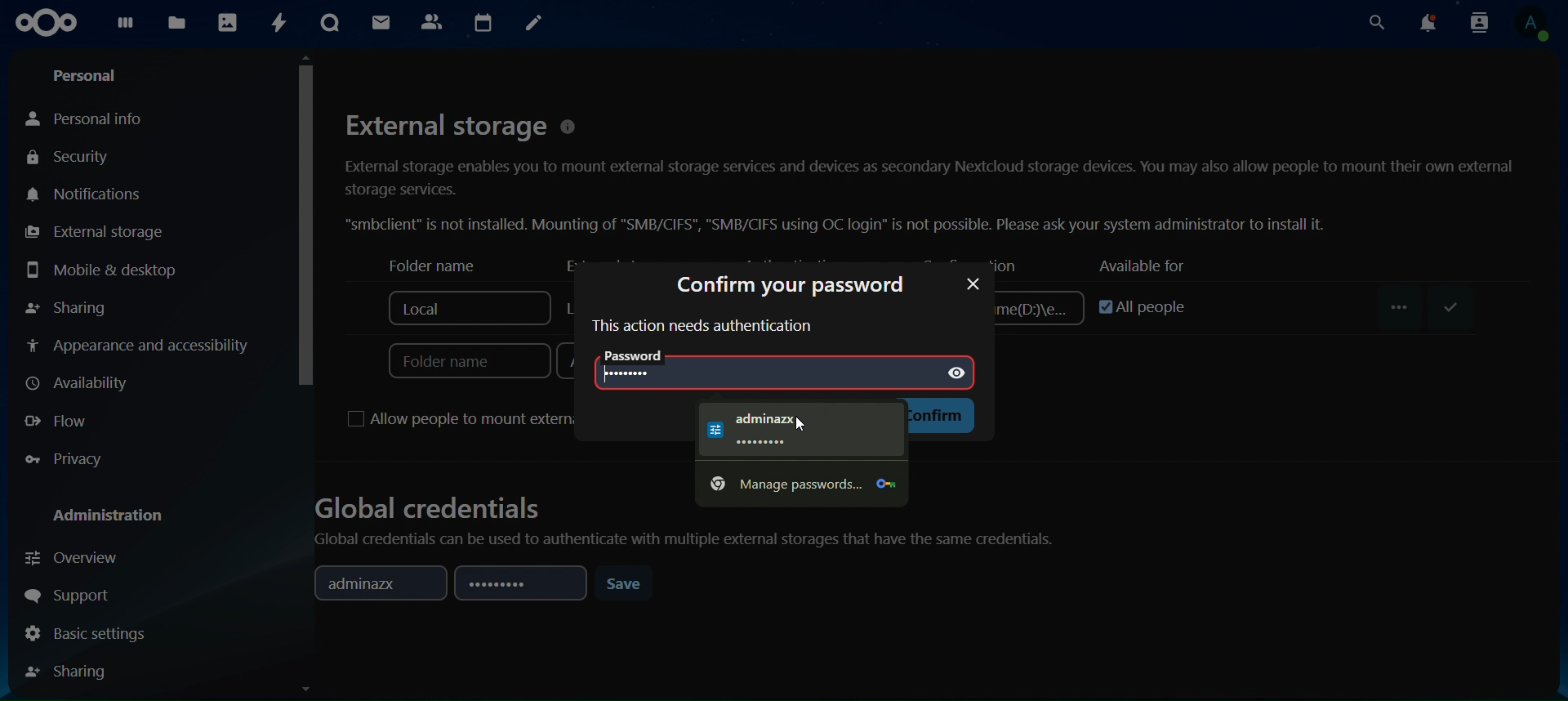 This screenshot has width=1568, height=701. I want to click on calendar, so click(484, 21).